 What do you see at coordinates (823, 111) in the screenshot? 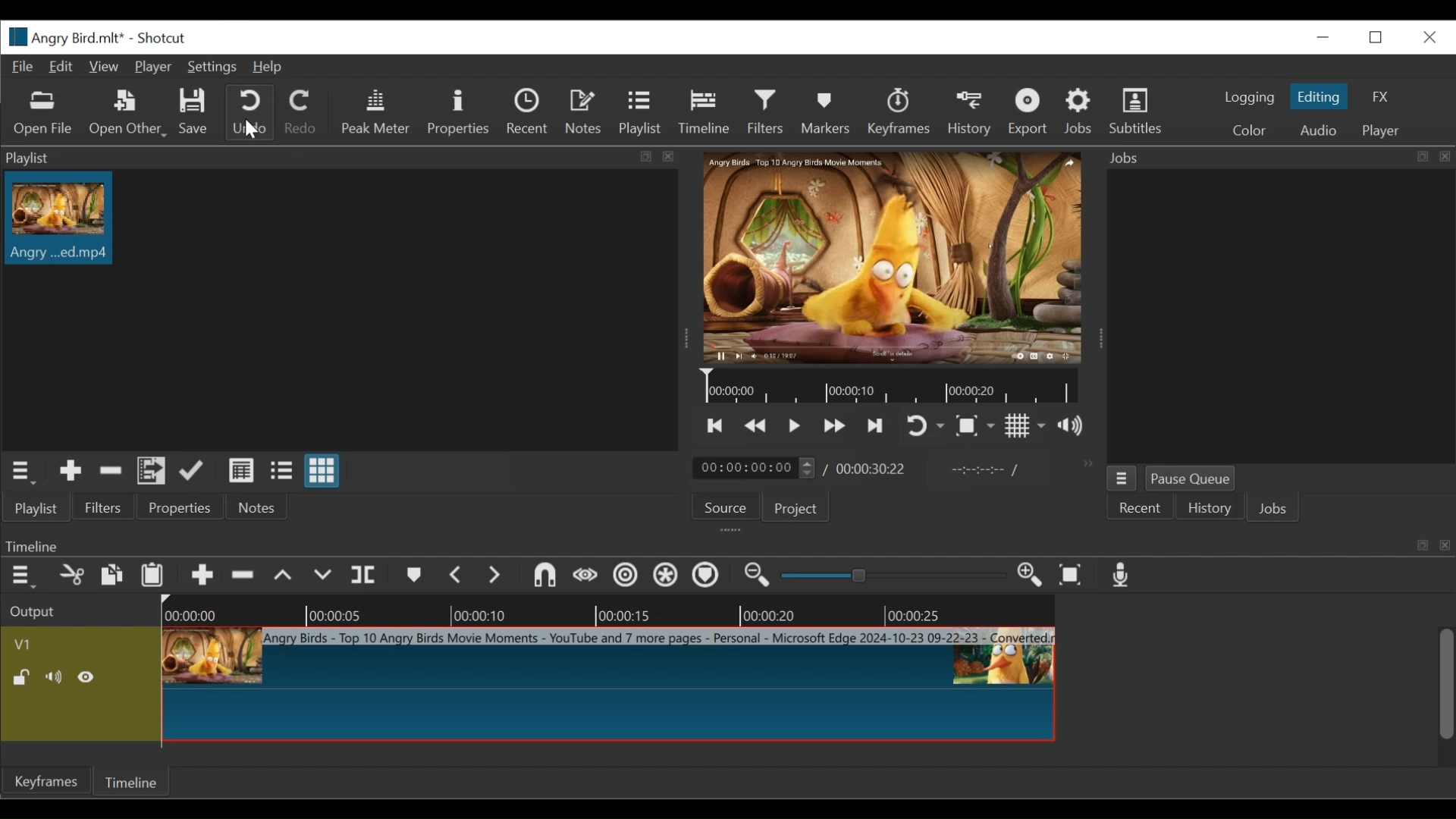
I see `Markers` at bounding box center [823, 111].